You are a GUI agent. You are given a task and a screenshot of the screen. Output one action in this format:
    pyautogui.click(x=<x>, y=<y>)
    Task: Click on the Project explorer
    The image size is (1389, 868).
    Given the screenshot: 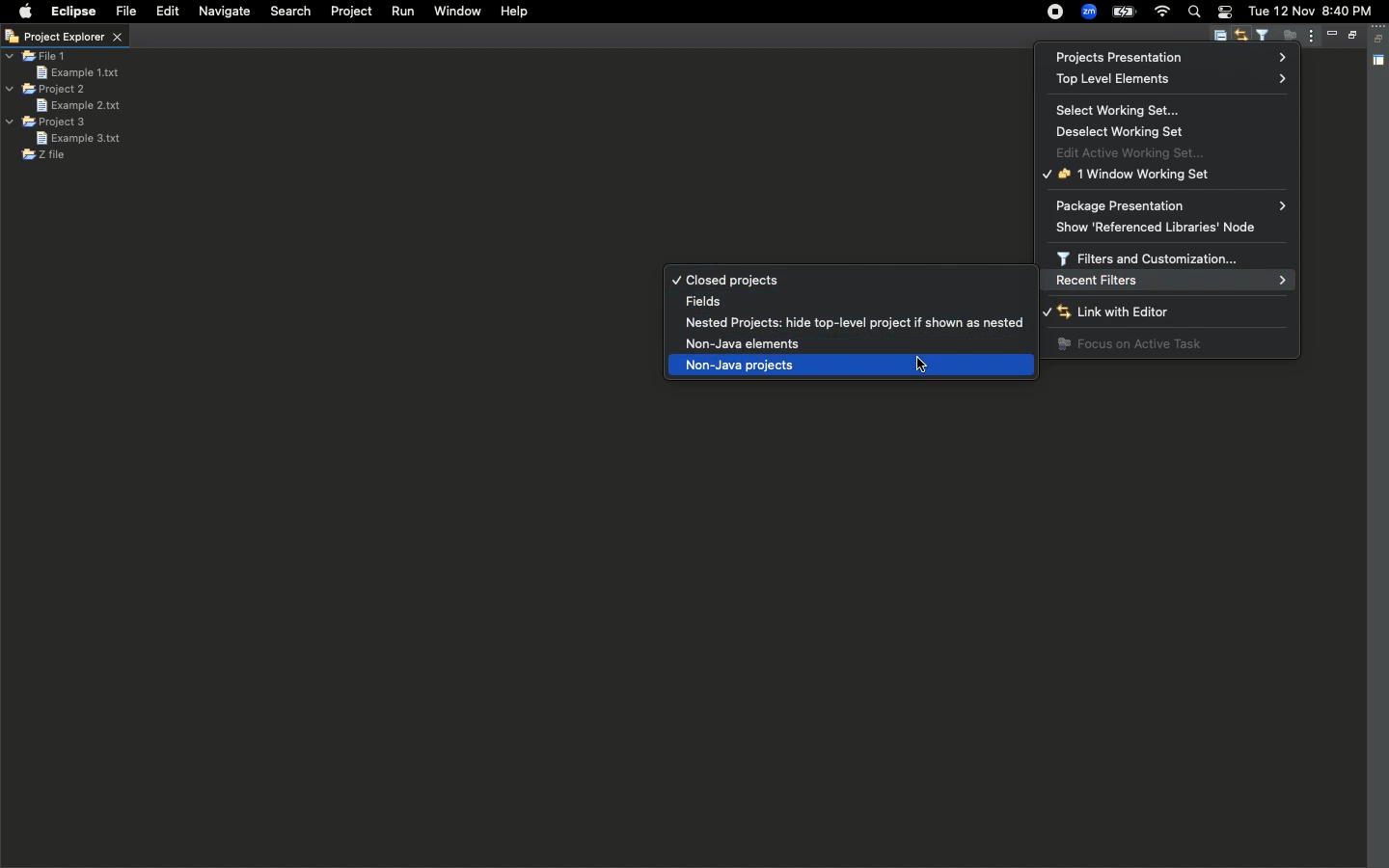 What is the action you would take?
    pyautogui.click(x=64, y=38)
    